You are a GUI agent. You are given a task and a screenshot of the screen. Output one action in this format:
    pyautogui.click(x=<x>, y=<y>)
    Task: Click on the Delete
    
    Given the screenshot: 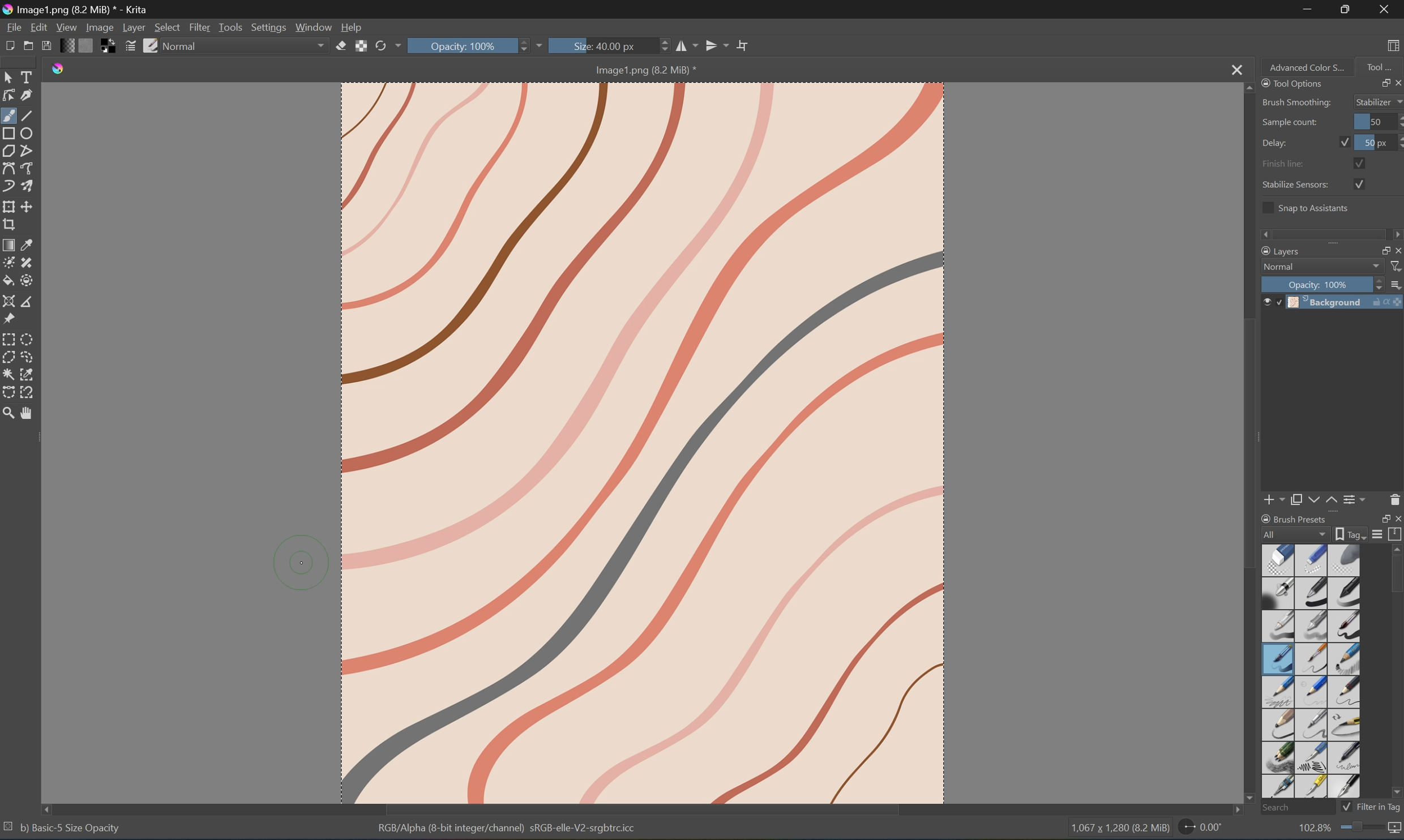 What is the action you would take?
    pyautogui.click(x=1395, y=499)
    